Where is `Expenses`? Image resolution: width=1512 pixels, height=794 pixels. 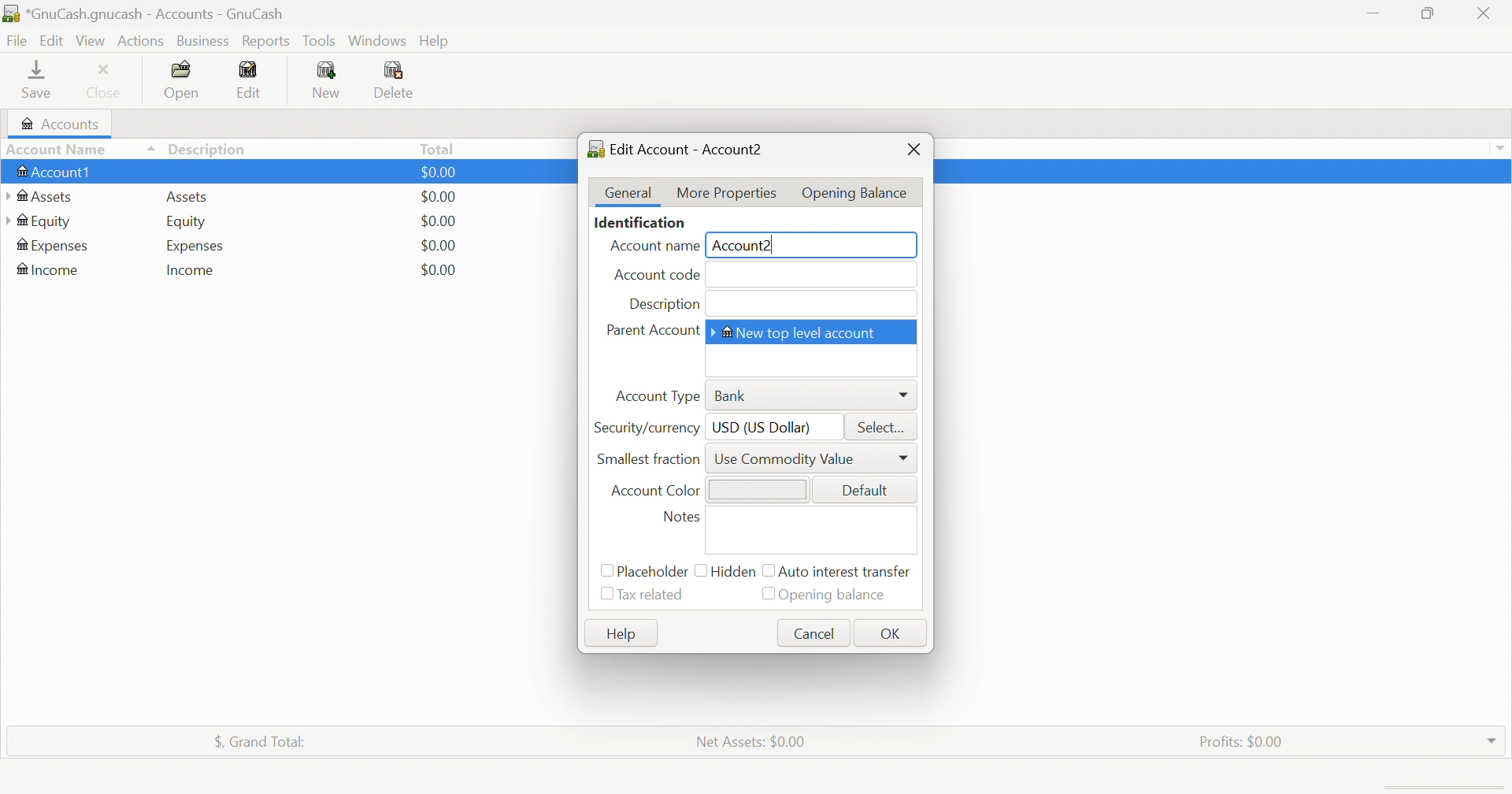 Expenses is located at coordinates (50, 246).